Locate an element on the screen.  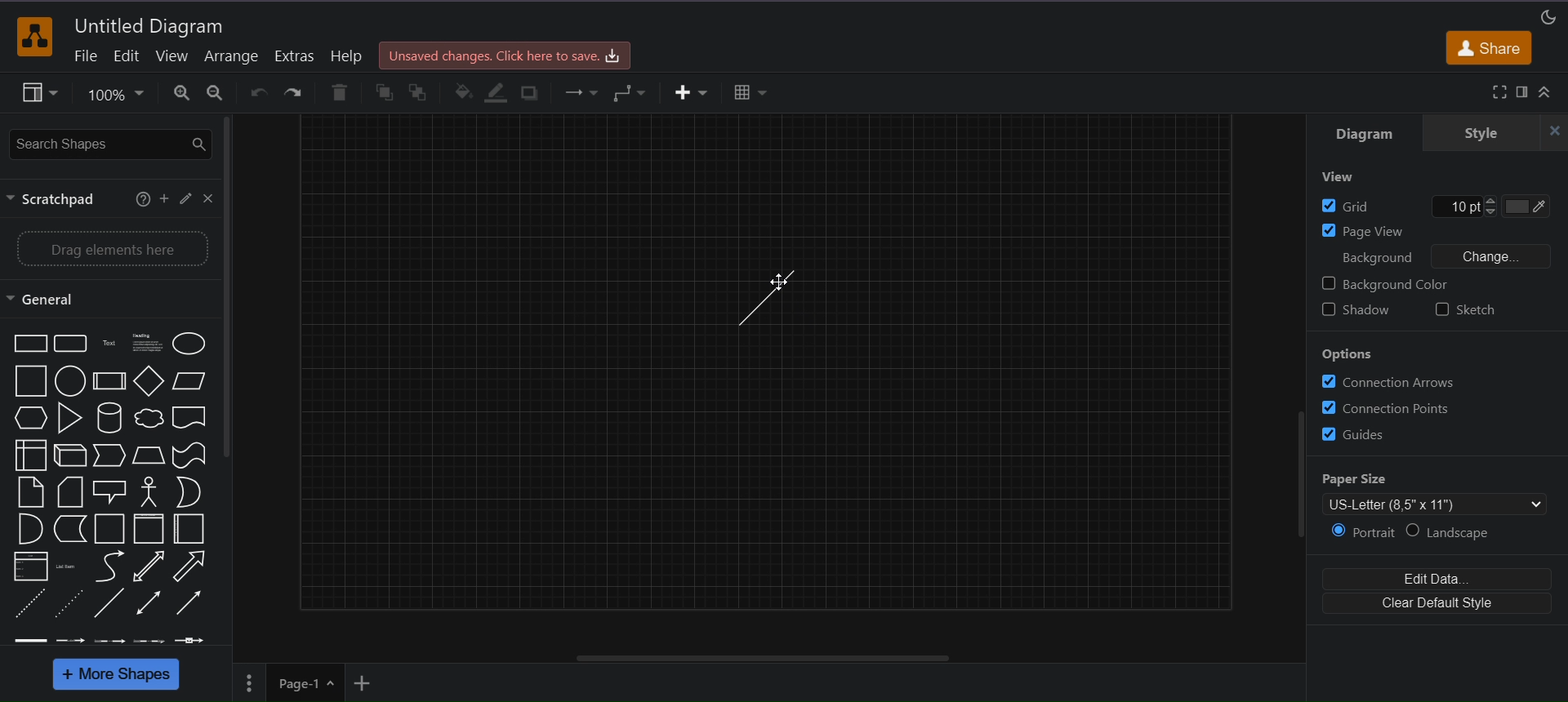
fullscreen is located at coordinates (1497, 91).